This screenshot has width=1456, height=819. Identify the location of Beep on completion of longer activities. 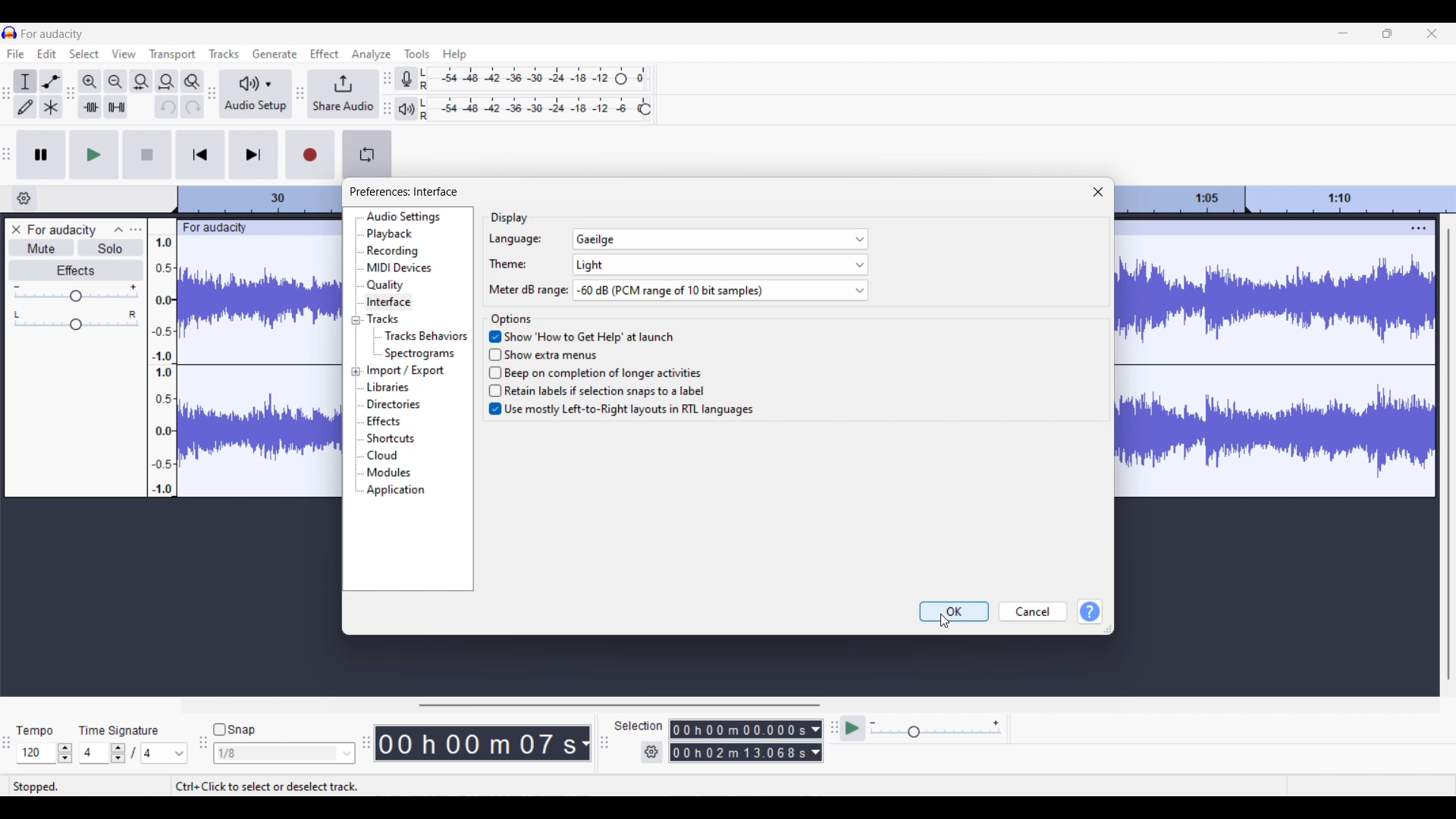
(600, 371).